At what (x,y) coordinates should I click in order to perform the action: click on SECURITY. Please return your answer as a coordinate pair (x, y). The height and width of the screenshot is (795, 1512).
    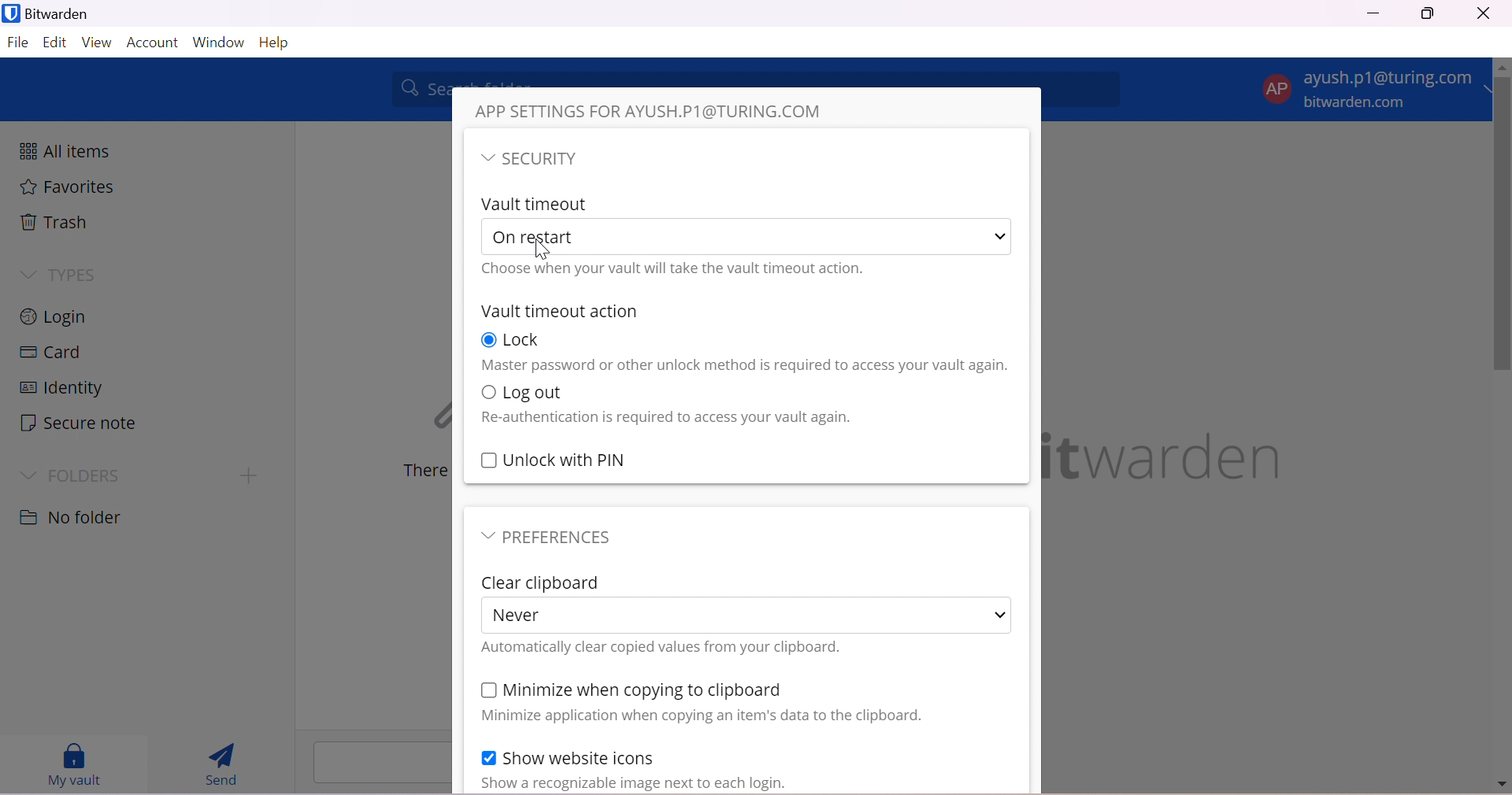
    Looking at the image, I should click on (545, 159).